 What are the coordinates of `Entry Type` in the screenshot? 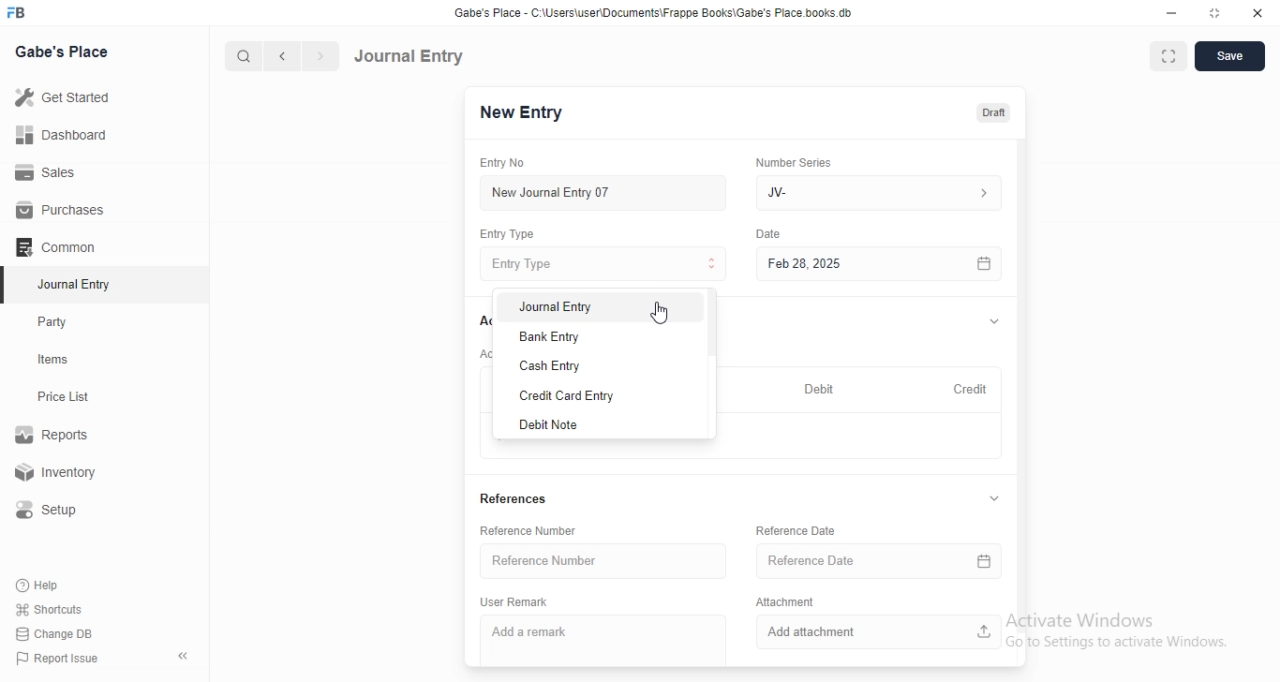 It's located at (602, 264).